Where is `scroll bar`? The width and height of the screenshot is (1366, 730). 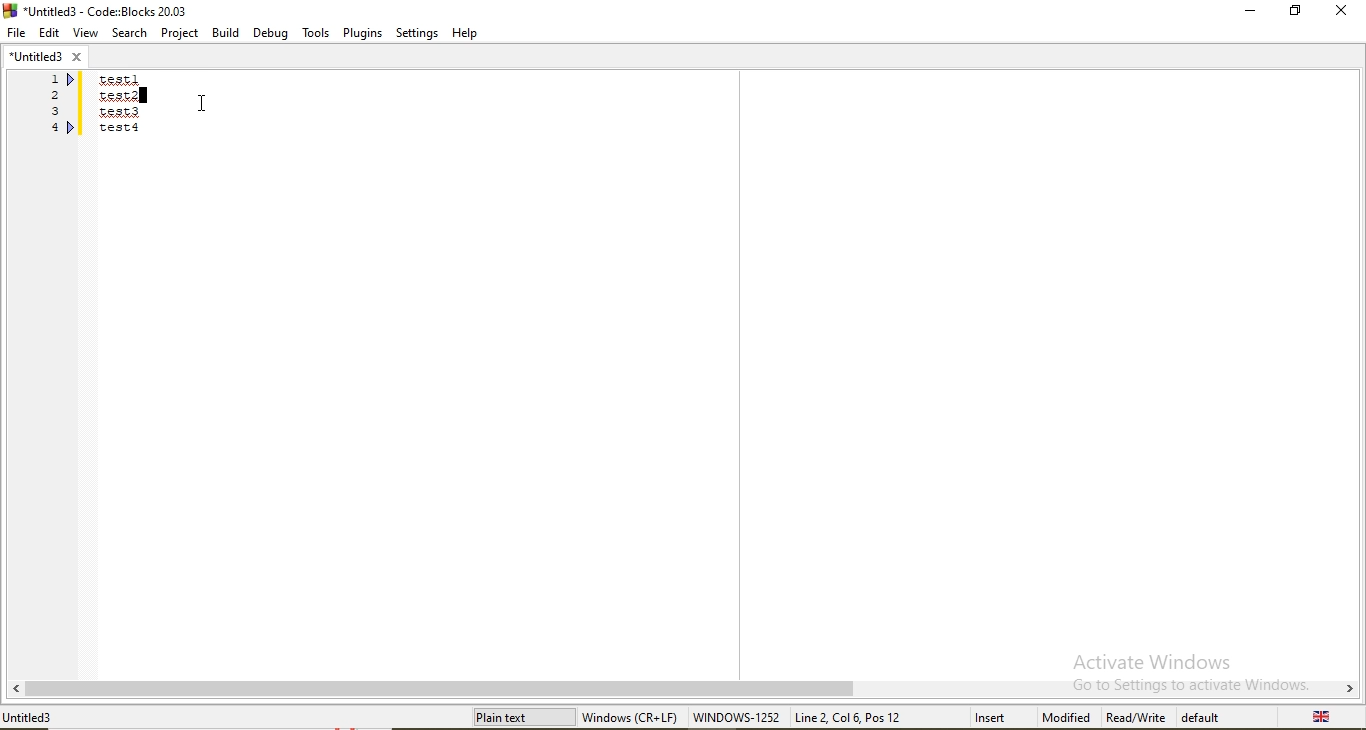 scroll bar is located at coordinates (683, 688).